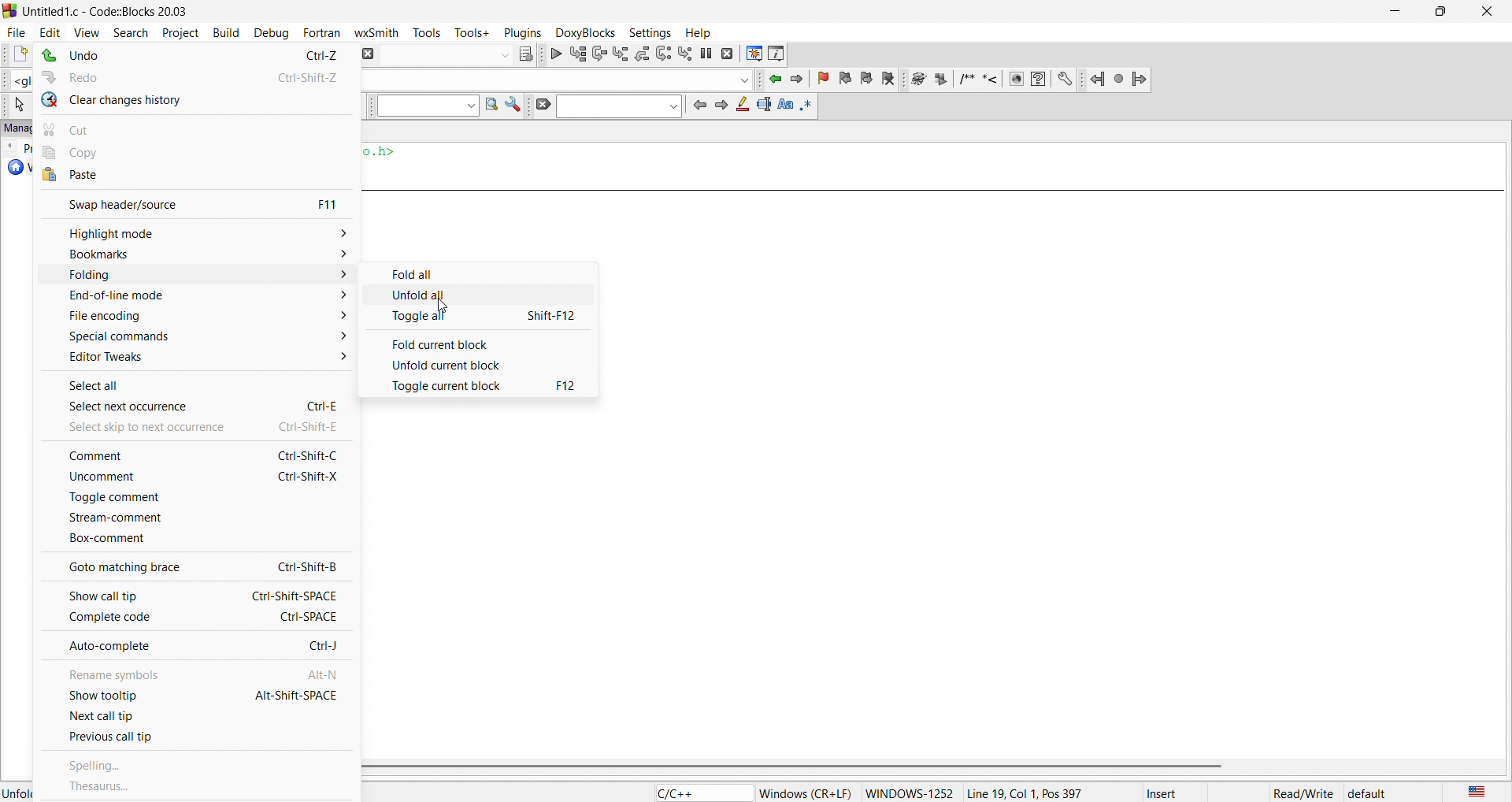 This screenshot has height=802, width=1512. Describe the element at coordinates (696, 32) in the screenshot. I see `help` at that location.